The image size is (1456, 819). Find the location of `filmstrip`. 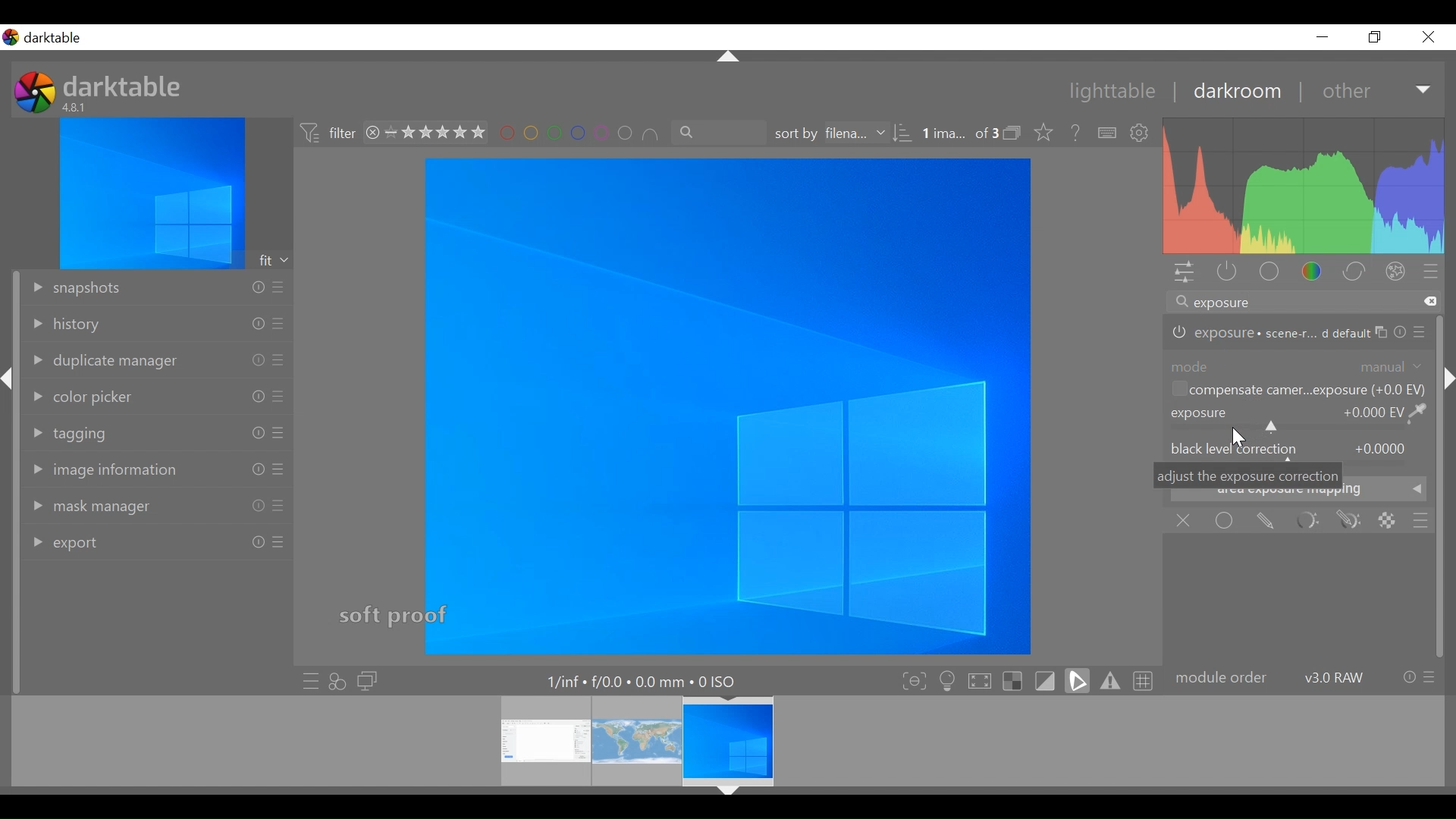

filmstrip is located at coordinates (723, 741).